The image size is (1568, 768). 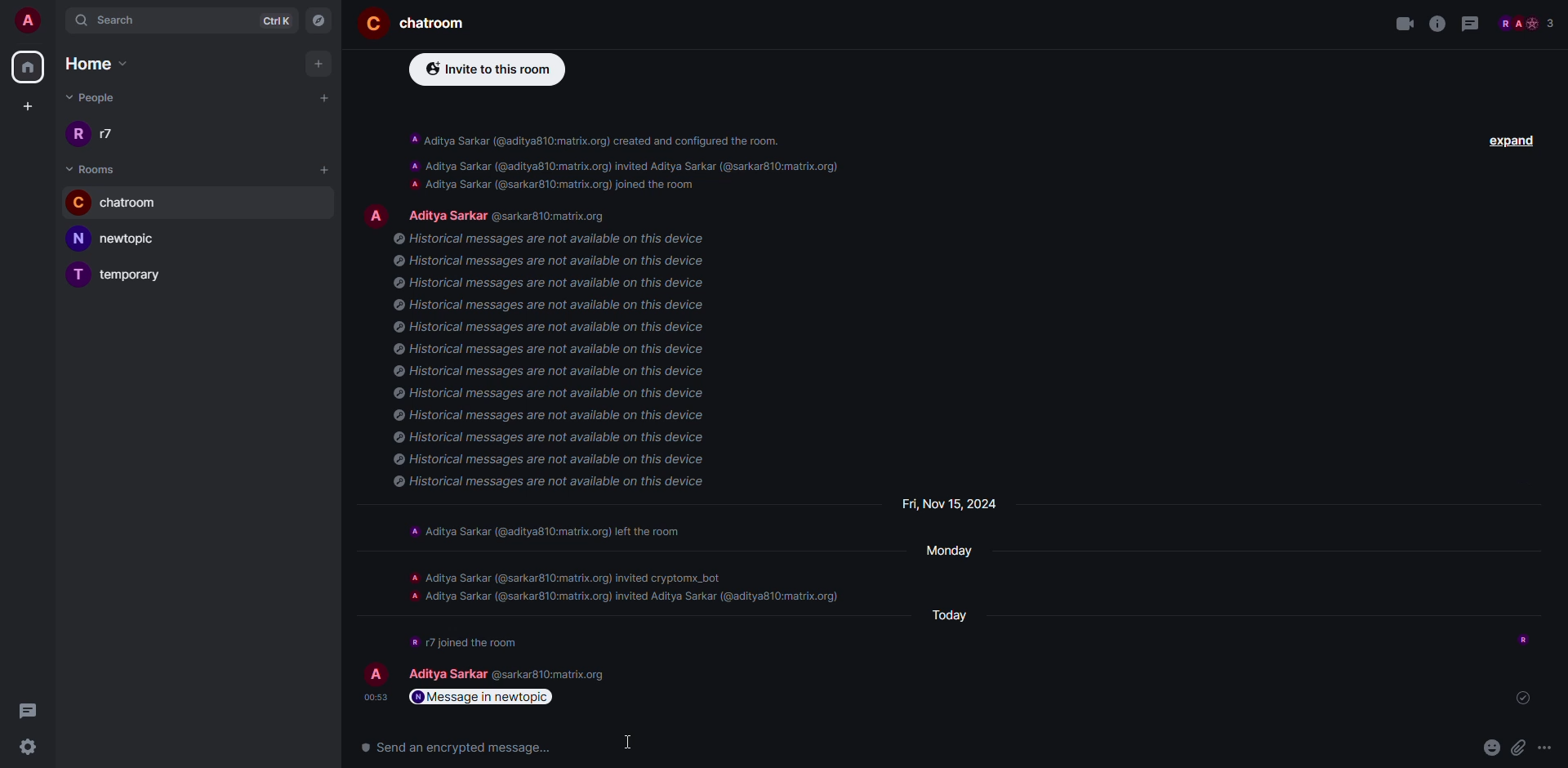 What do you see at coordinates (948, 608) in the screenshot?
I see `Today` at bounding box center [948, 608].